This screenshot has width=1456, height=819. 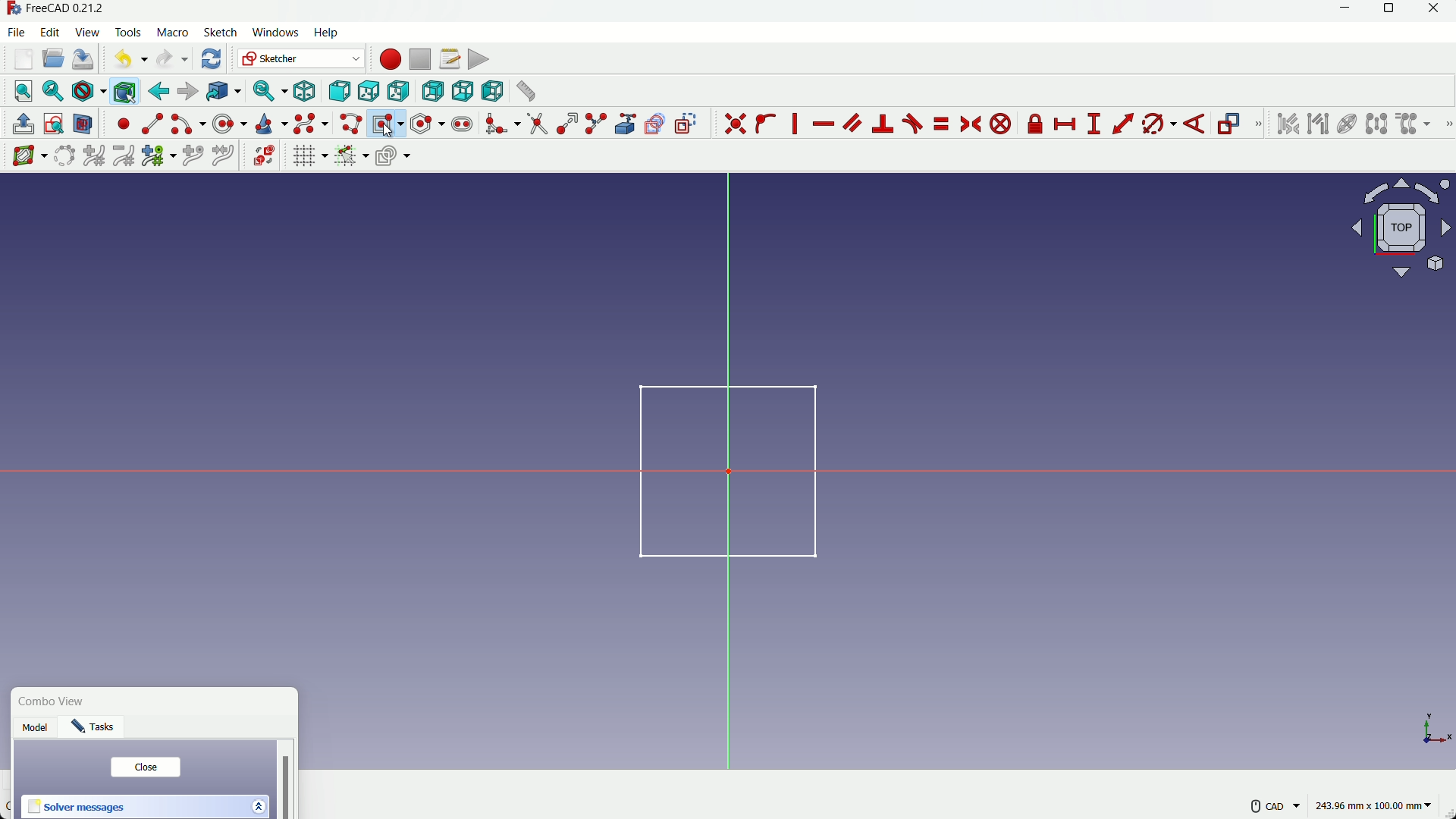 I want to click on sketch menu, so click(x=218, y=33).